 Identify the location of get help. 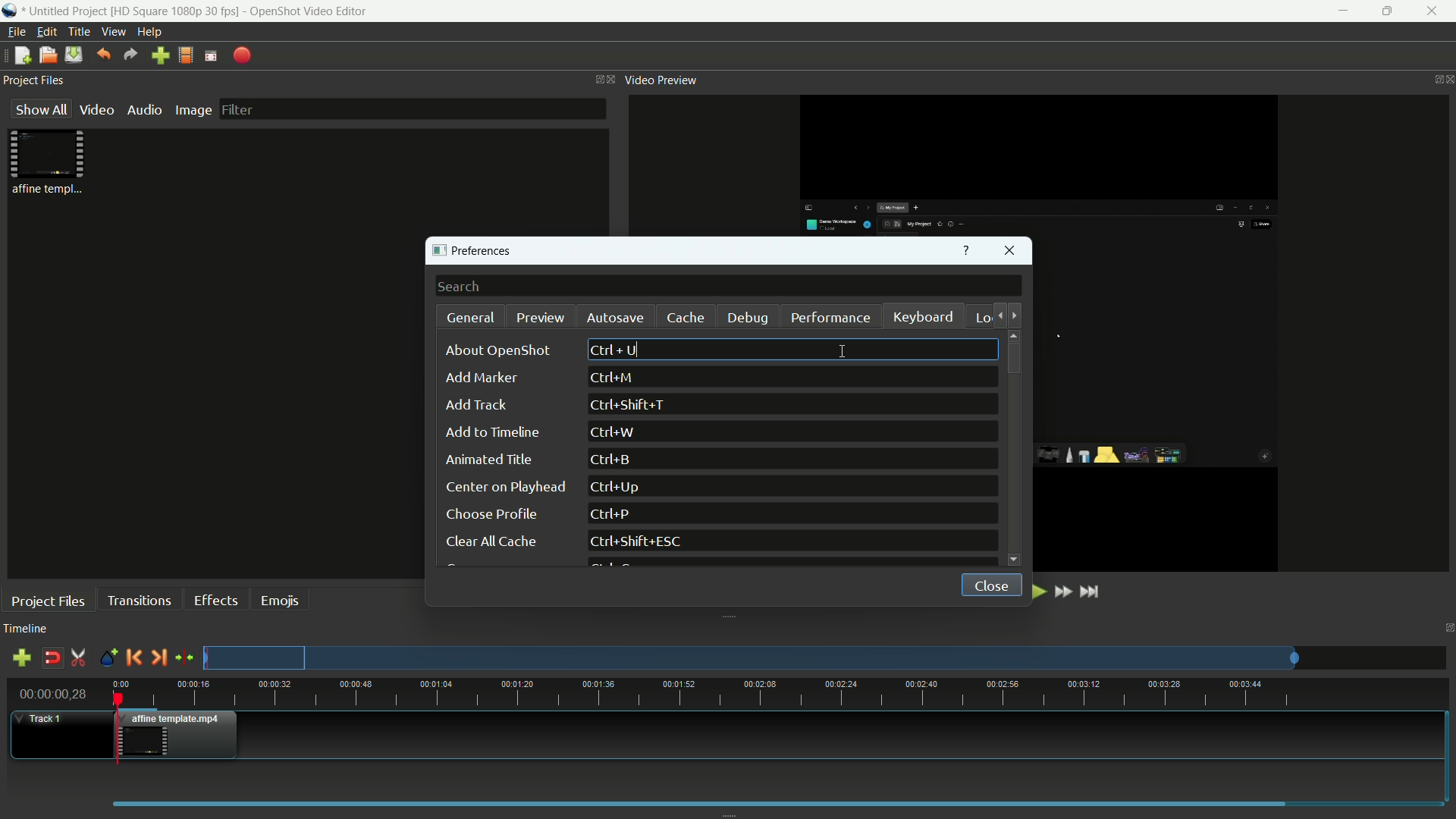
(966, 252).